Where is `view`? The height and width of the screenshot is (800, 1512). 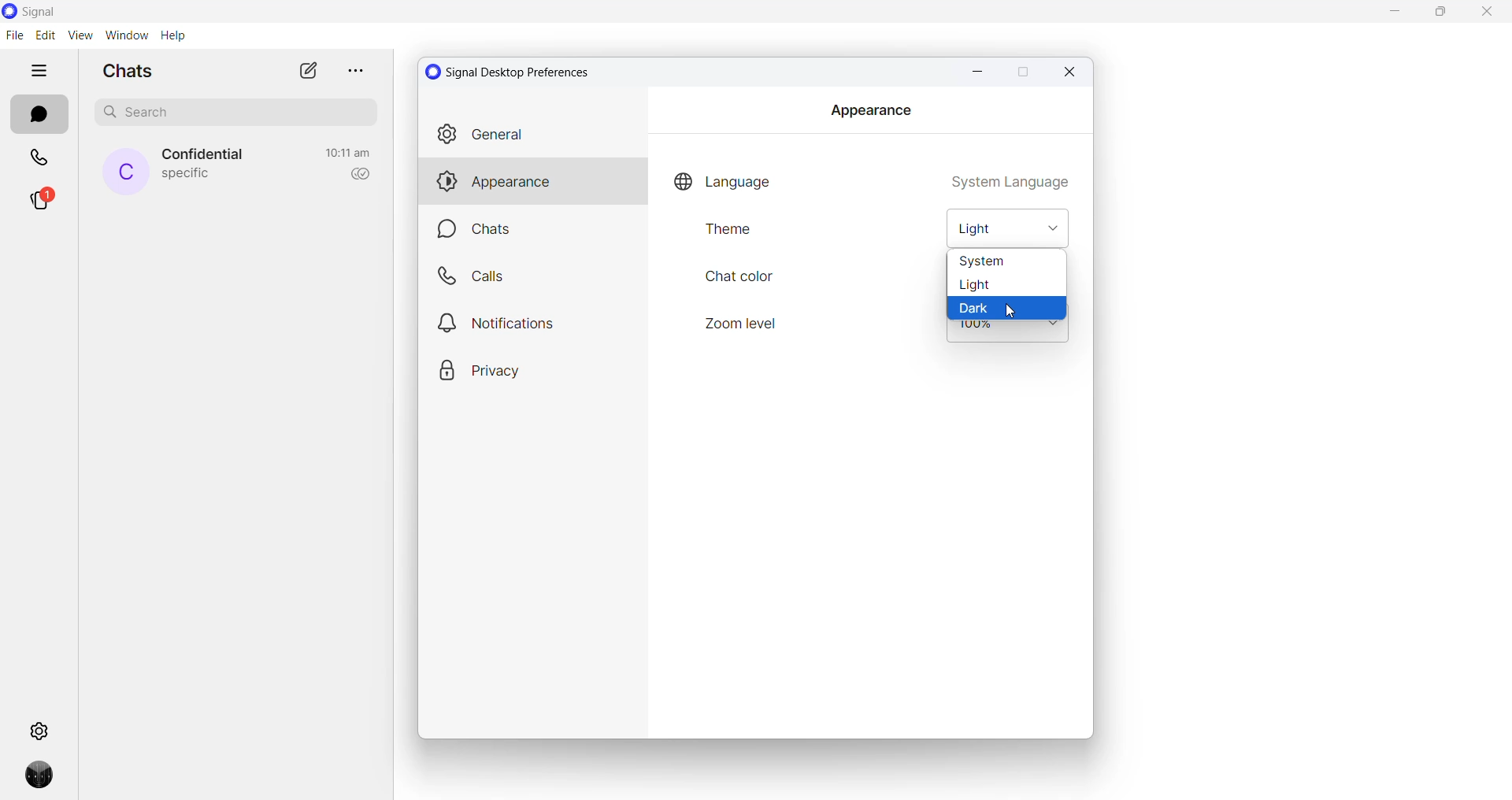
view is located at coordinates (80, 35).